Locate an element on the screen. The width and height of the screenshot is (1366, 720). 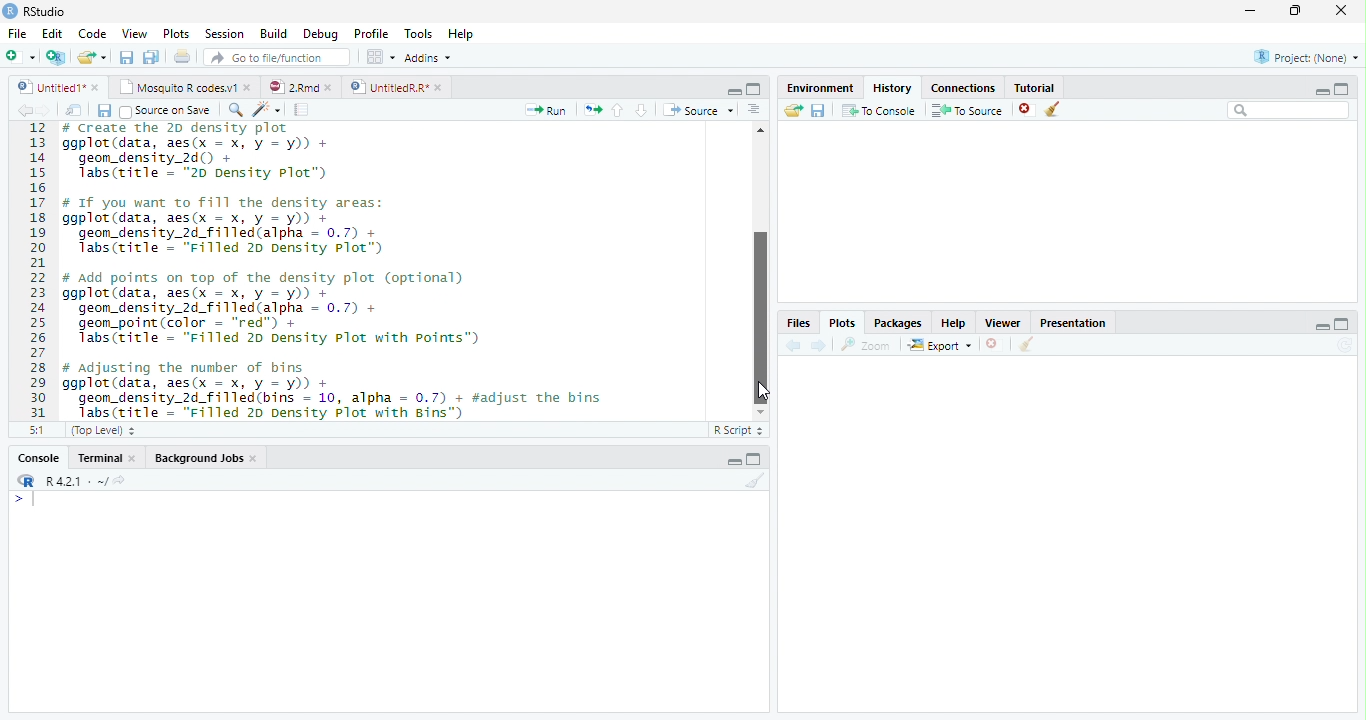
maximize is located at coordinates (754, 88).